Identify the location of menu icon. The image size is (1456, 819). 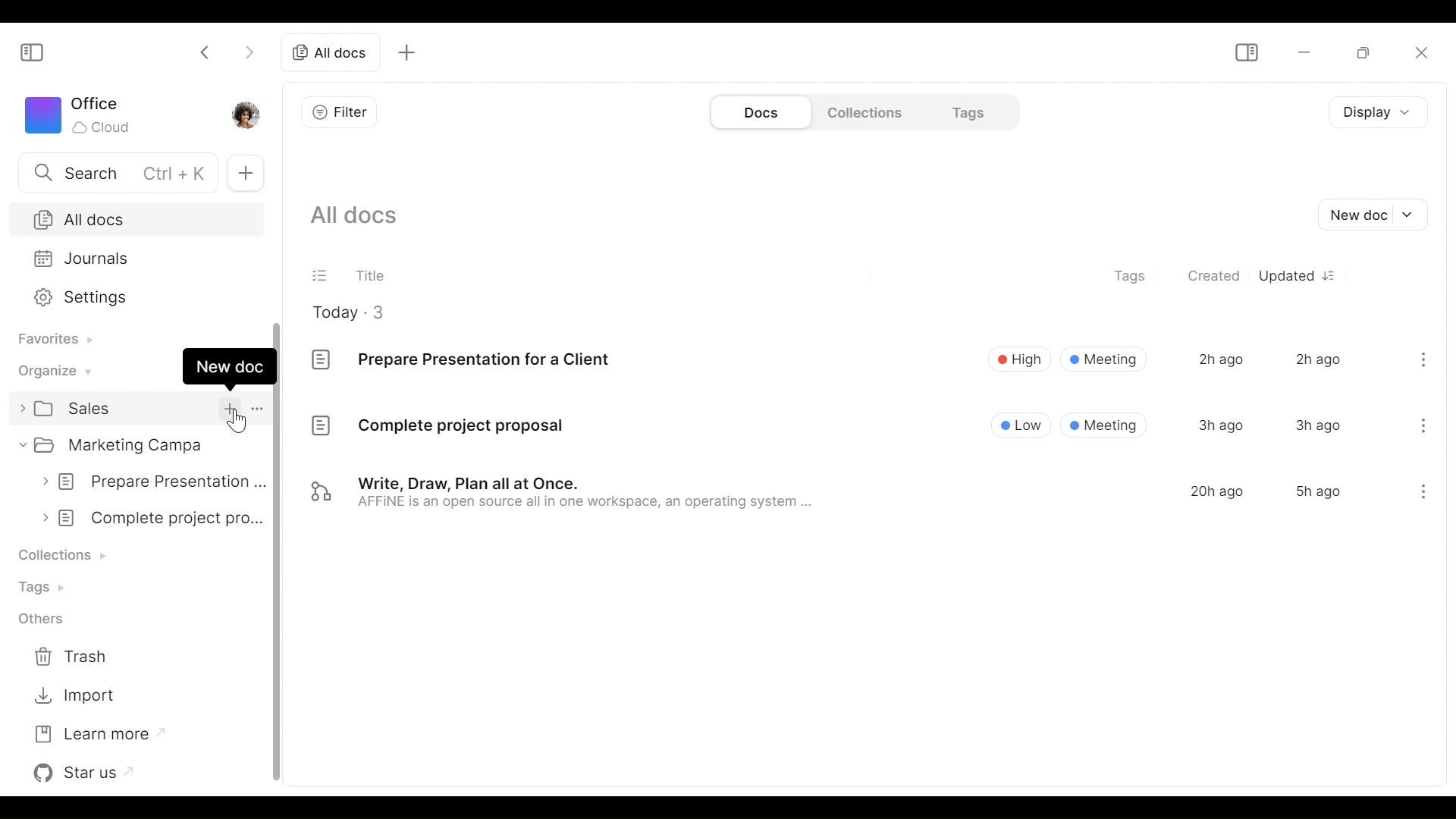
(1423, 423).